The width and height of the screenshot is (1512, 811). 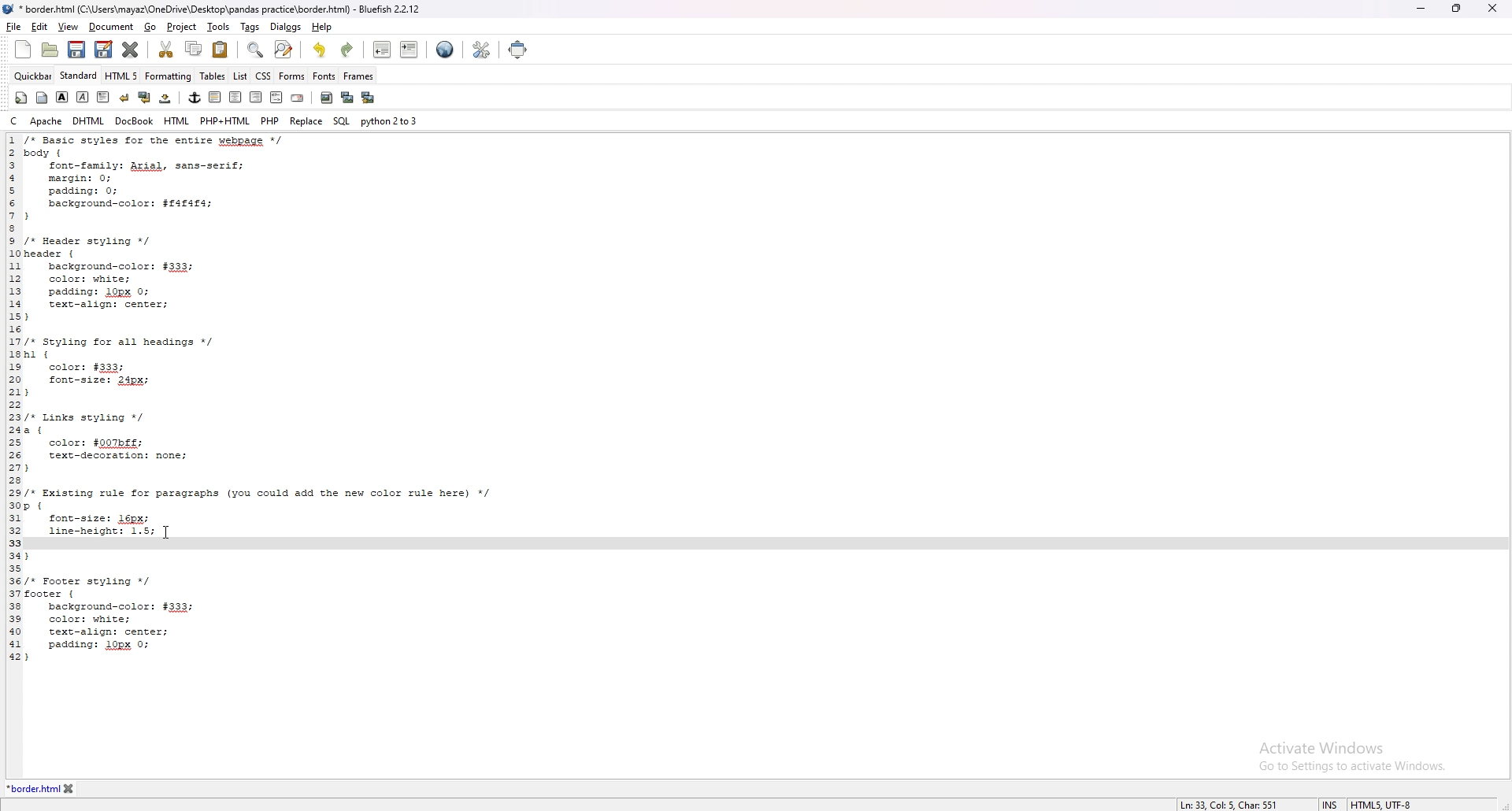 What do you see at coordinates (220, 49) in the screenshot?
I see `paste` at bounding box center [220, 49].